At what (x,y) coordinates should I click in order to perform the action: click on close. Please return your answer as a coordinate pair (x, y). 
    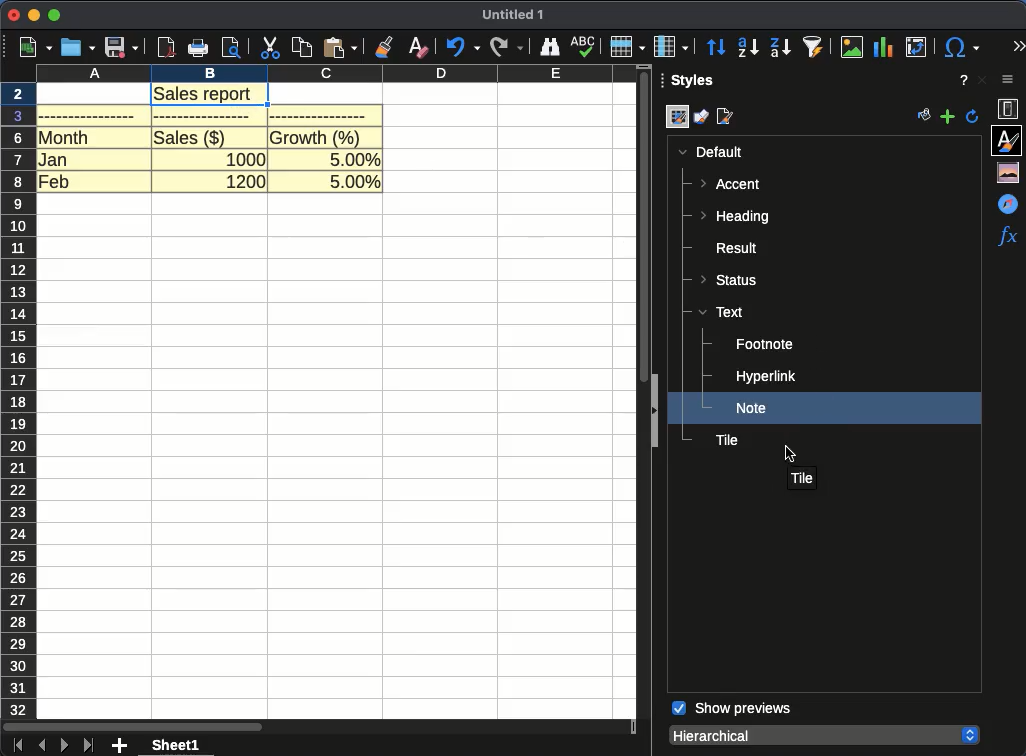
    Looking at the image, I should click on (981, 80).